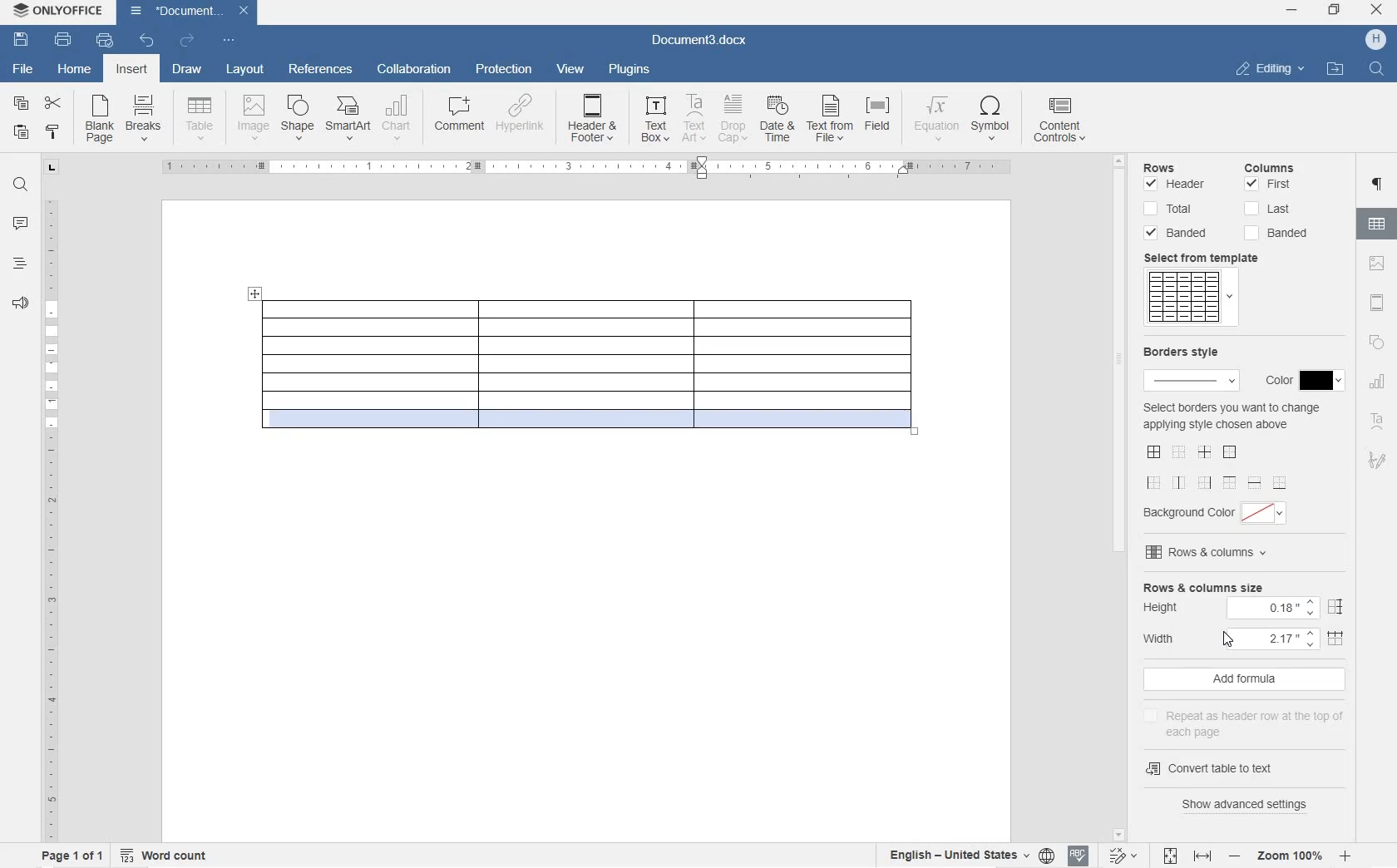 The height and width of the screenshot is (868, 1397). Describe the element at coordinates (254, 118) in the screenshot. I see `IMAGE` at that location.